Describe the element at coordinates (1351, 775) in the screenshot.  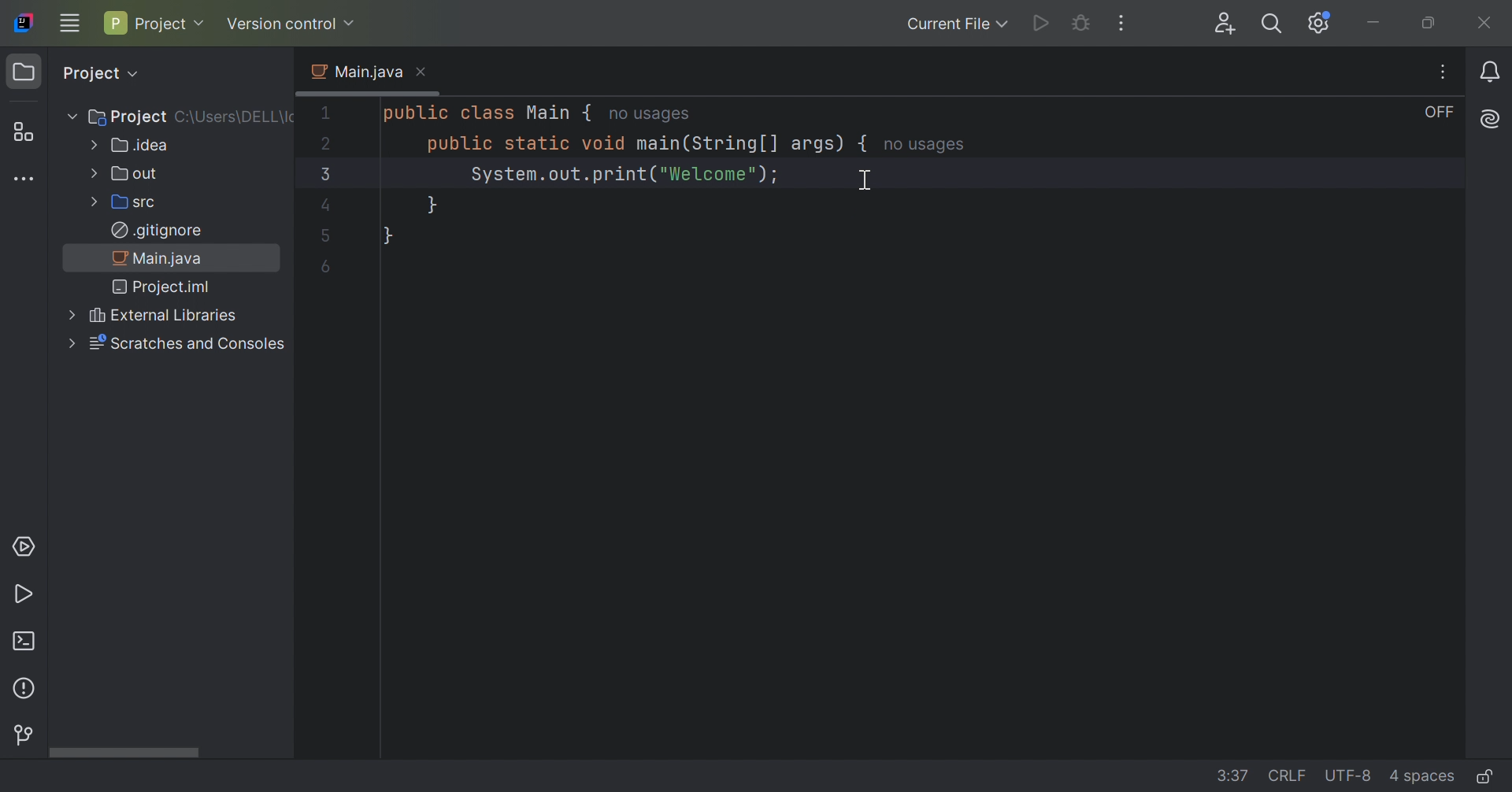
I see `UTF-8` at that location.